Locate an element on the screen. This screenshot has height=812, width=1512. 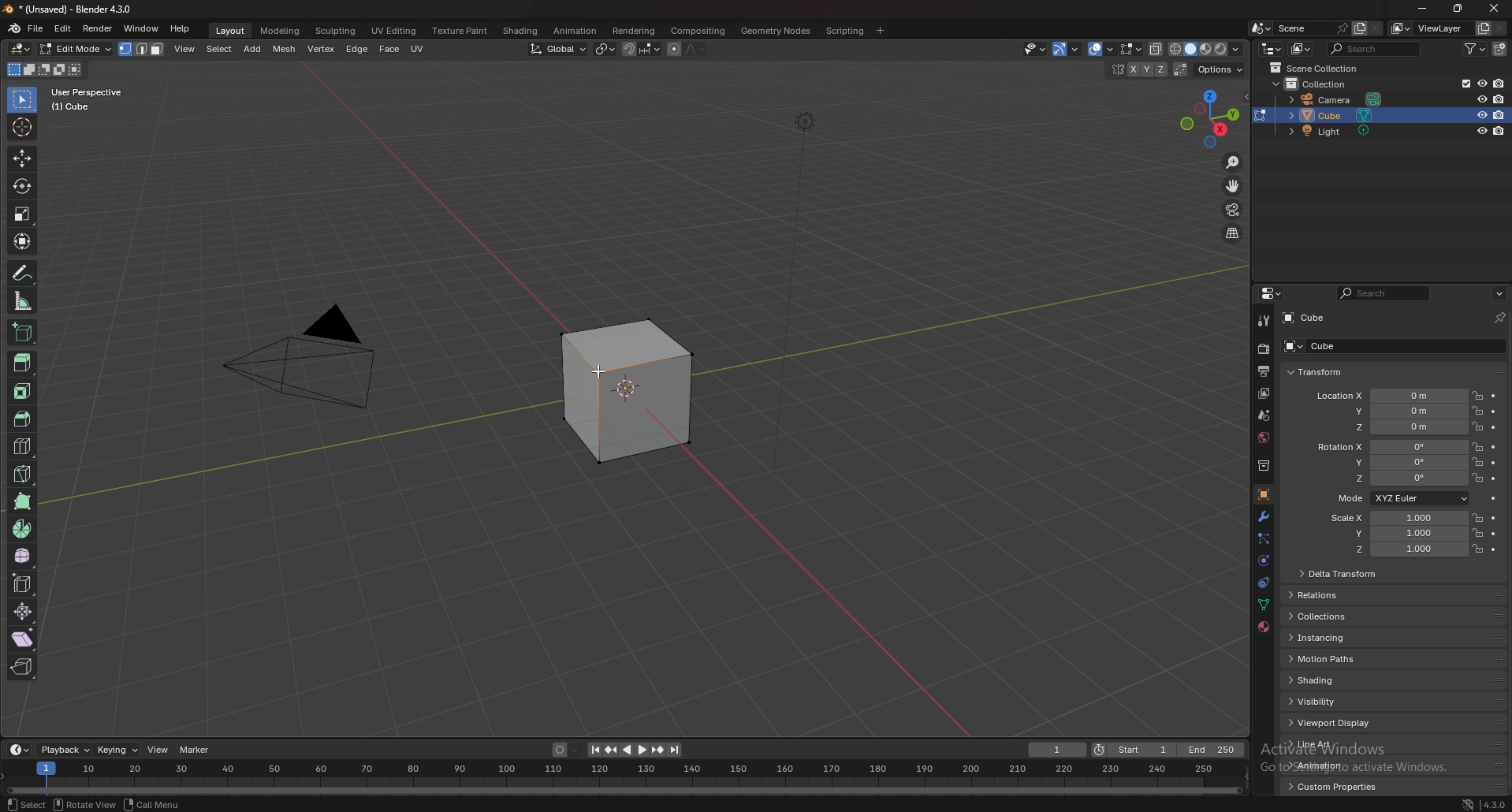
animate property is located at coordinates (1494, 427).